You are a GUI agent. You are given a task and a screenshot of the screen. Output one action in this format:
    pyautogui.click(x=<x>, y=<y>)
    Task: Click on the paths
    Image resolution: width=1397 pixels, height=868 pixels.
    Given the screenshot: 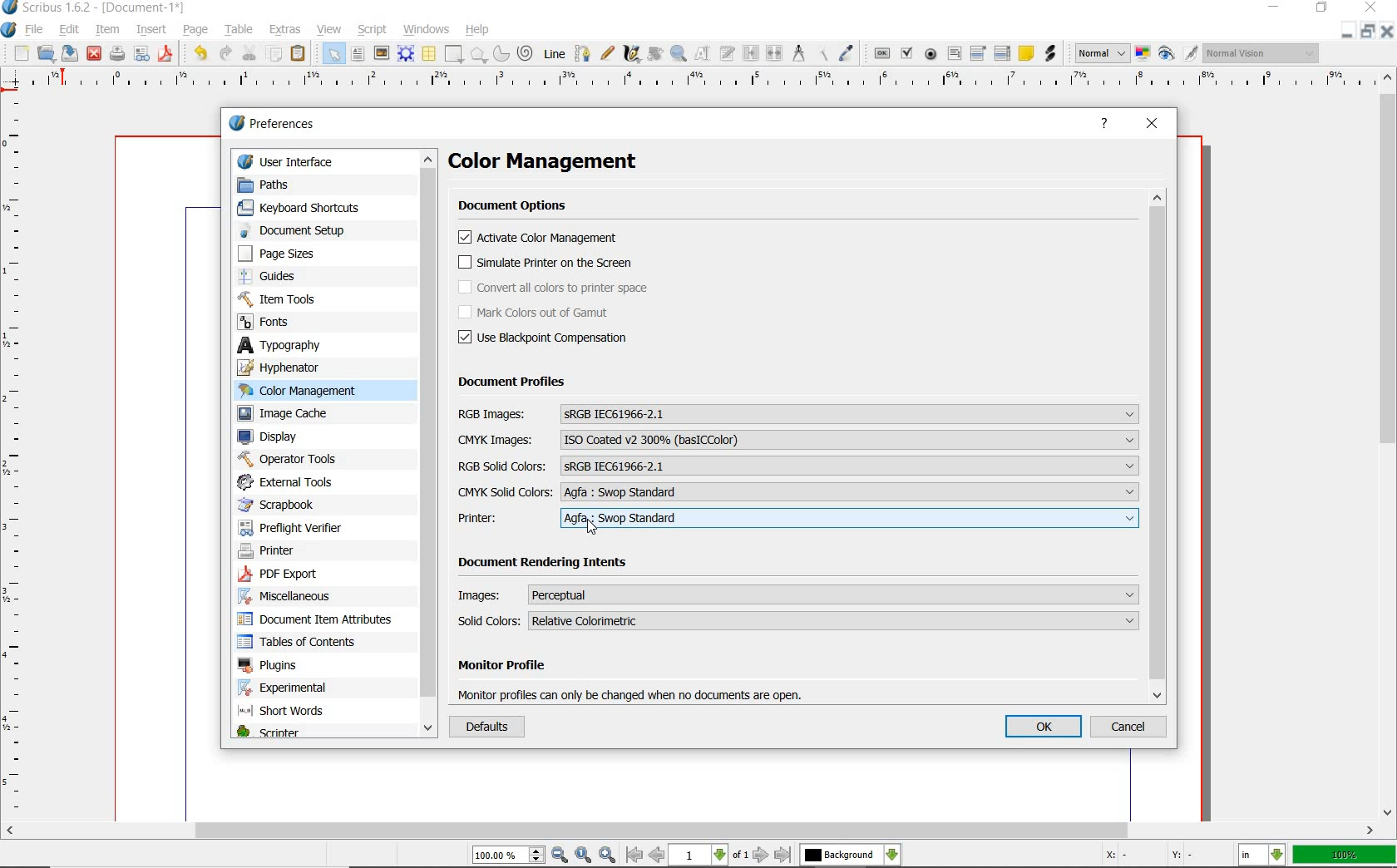 What is the action you would take?
    pyautogui.click(x=294, y=185)
    